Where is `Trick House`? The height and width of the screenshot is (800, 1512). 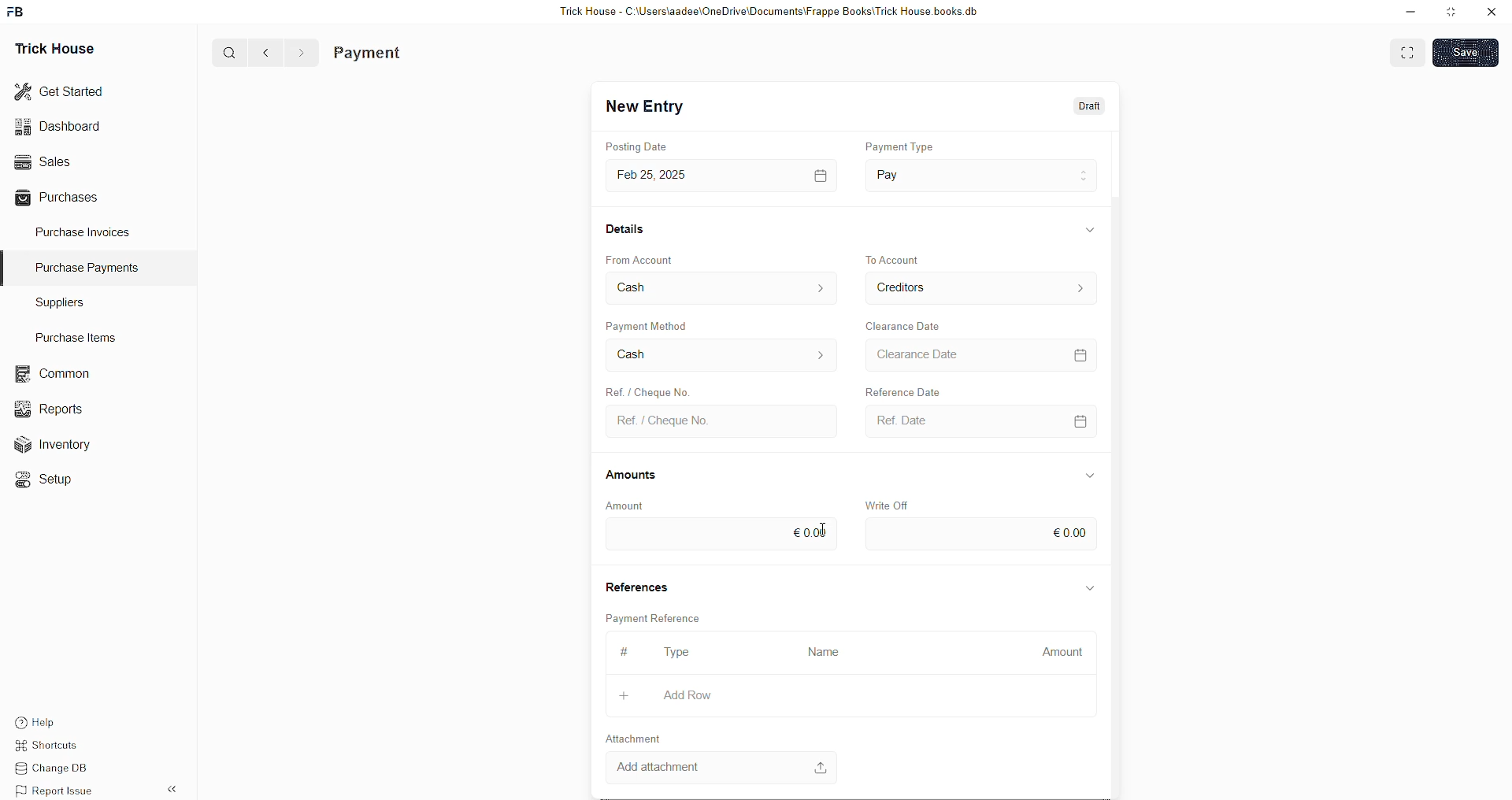
Trick House is located at coordinates (50, 47).